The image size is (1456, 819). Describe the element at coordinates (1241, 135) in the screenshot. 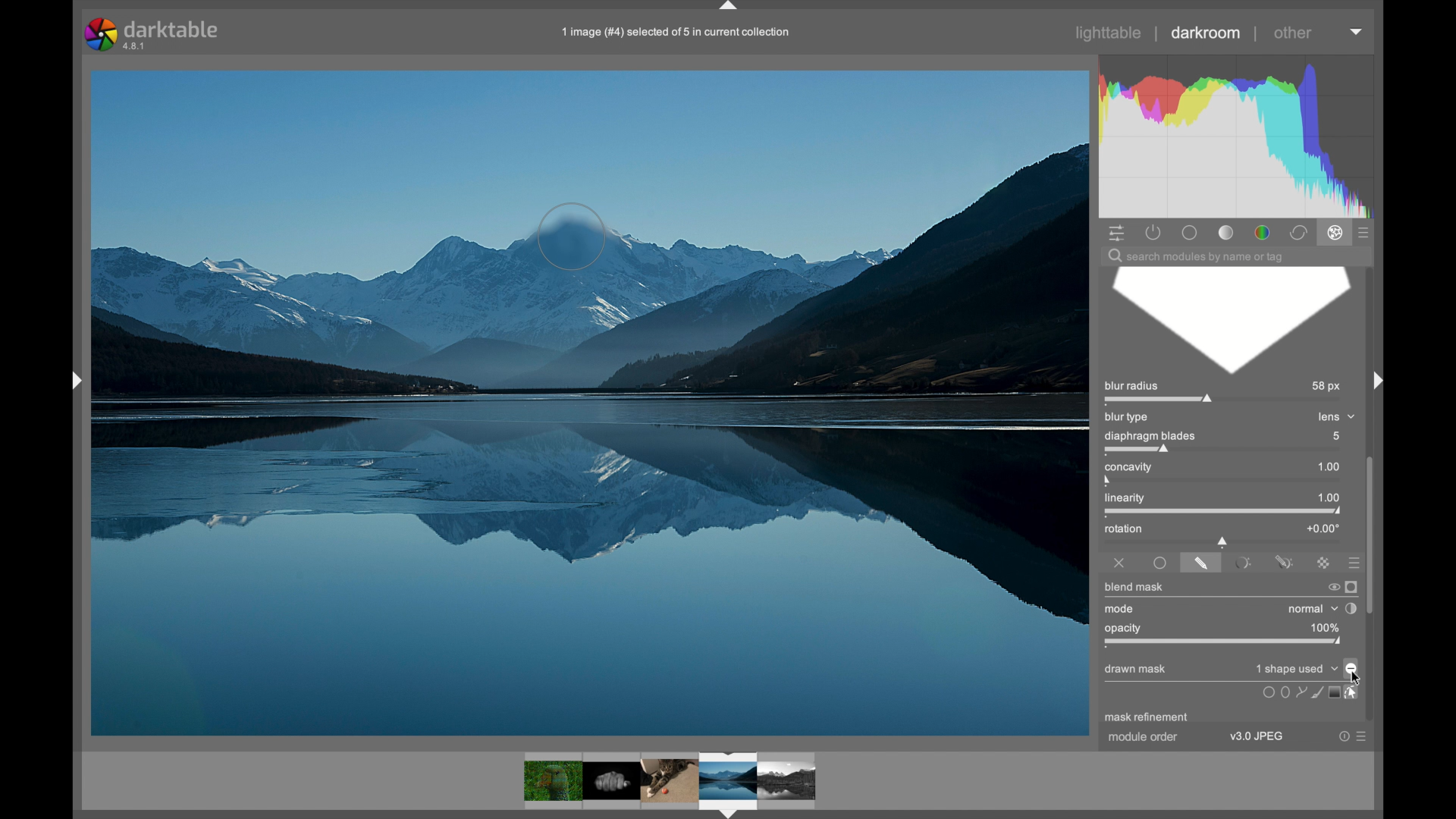

I see `histogram` at that location.